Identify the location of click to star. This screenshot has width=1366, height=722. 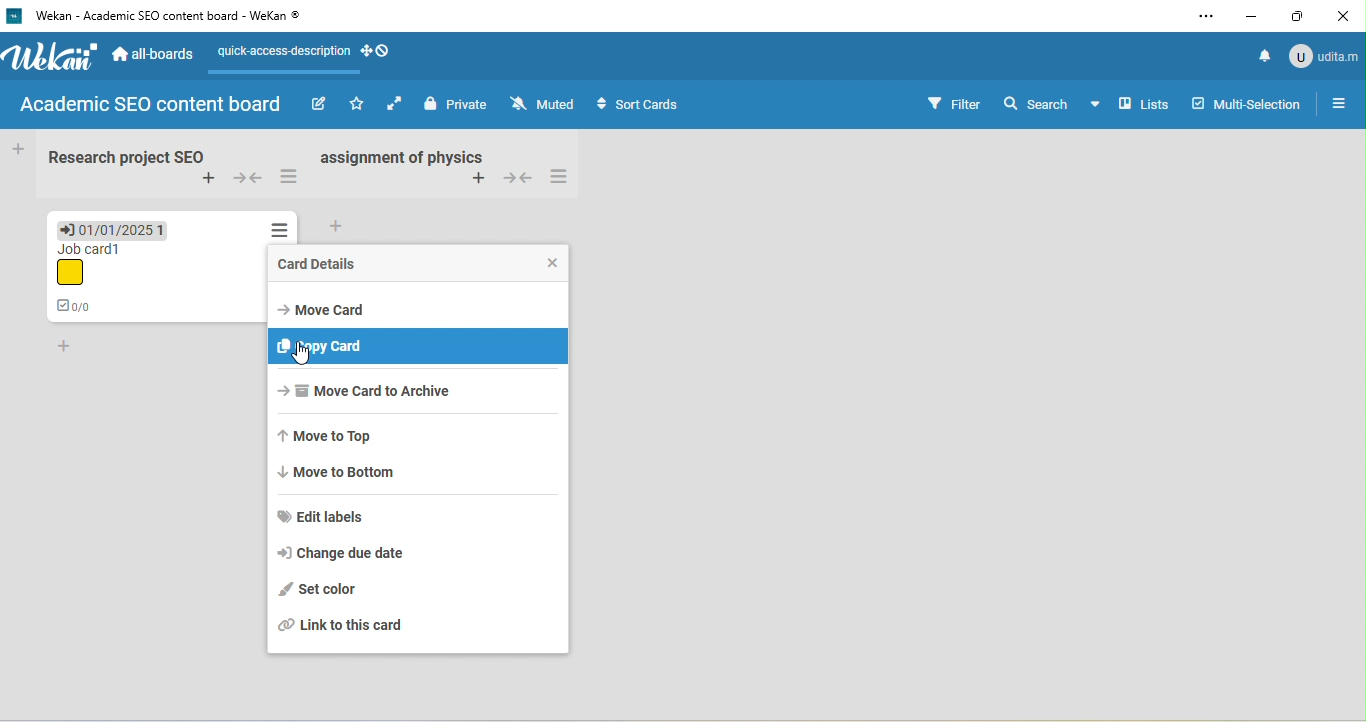
(357, 105).